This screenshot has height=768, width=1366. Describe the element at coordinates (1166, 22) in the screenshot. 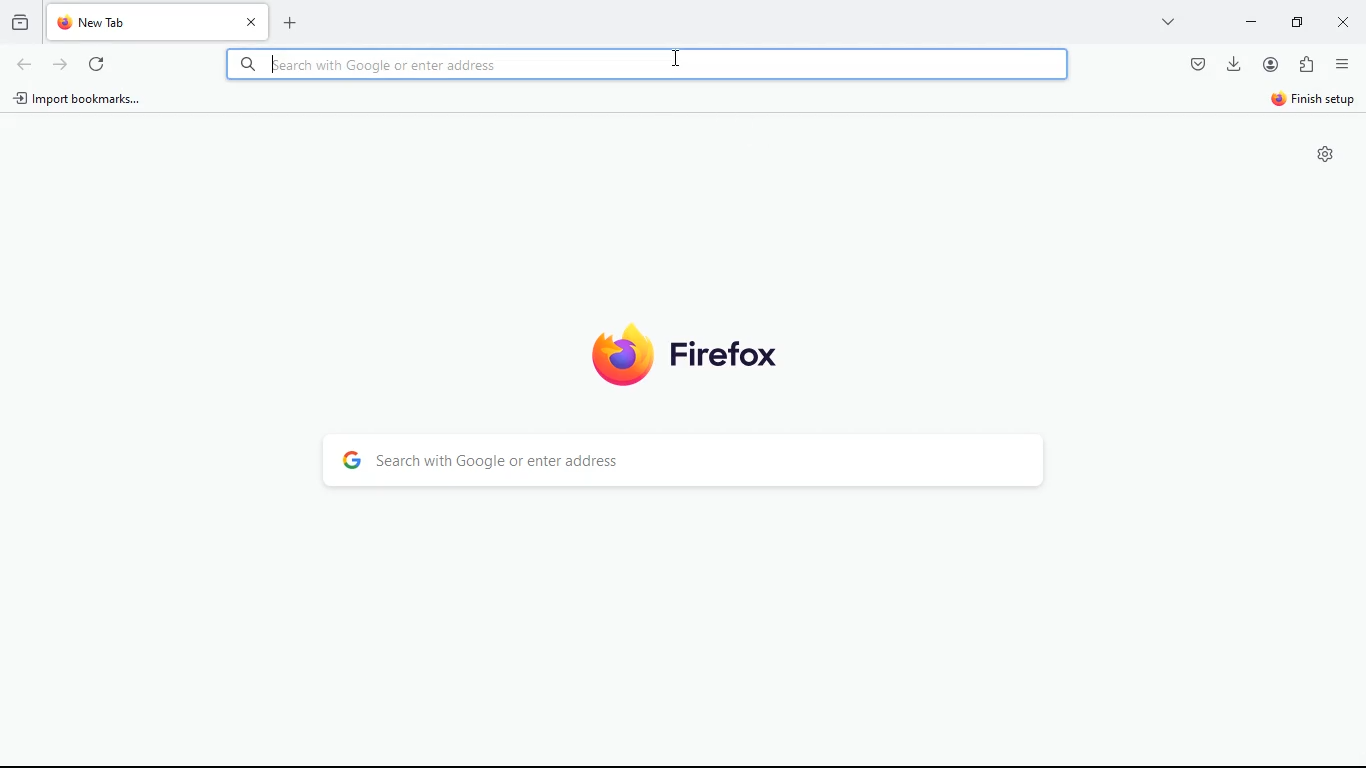

I see `more` at that location.